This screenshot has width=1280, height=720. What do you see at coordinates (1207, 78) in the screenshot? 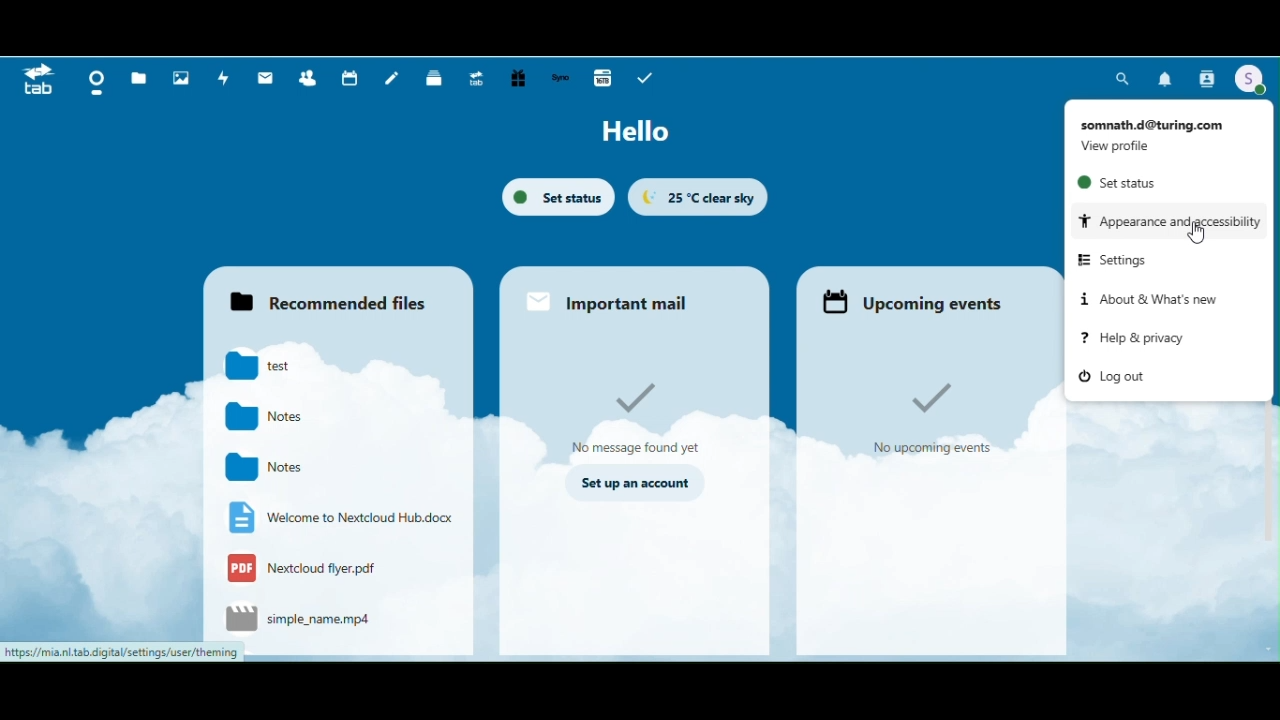
I see `Contacts` at bounding box center [1207, 78].